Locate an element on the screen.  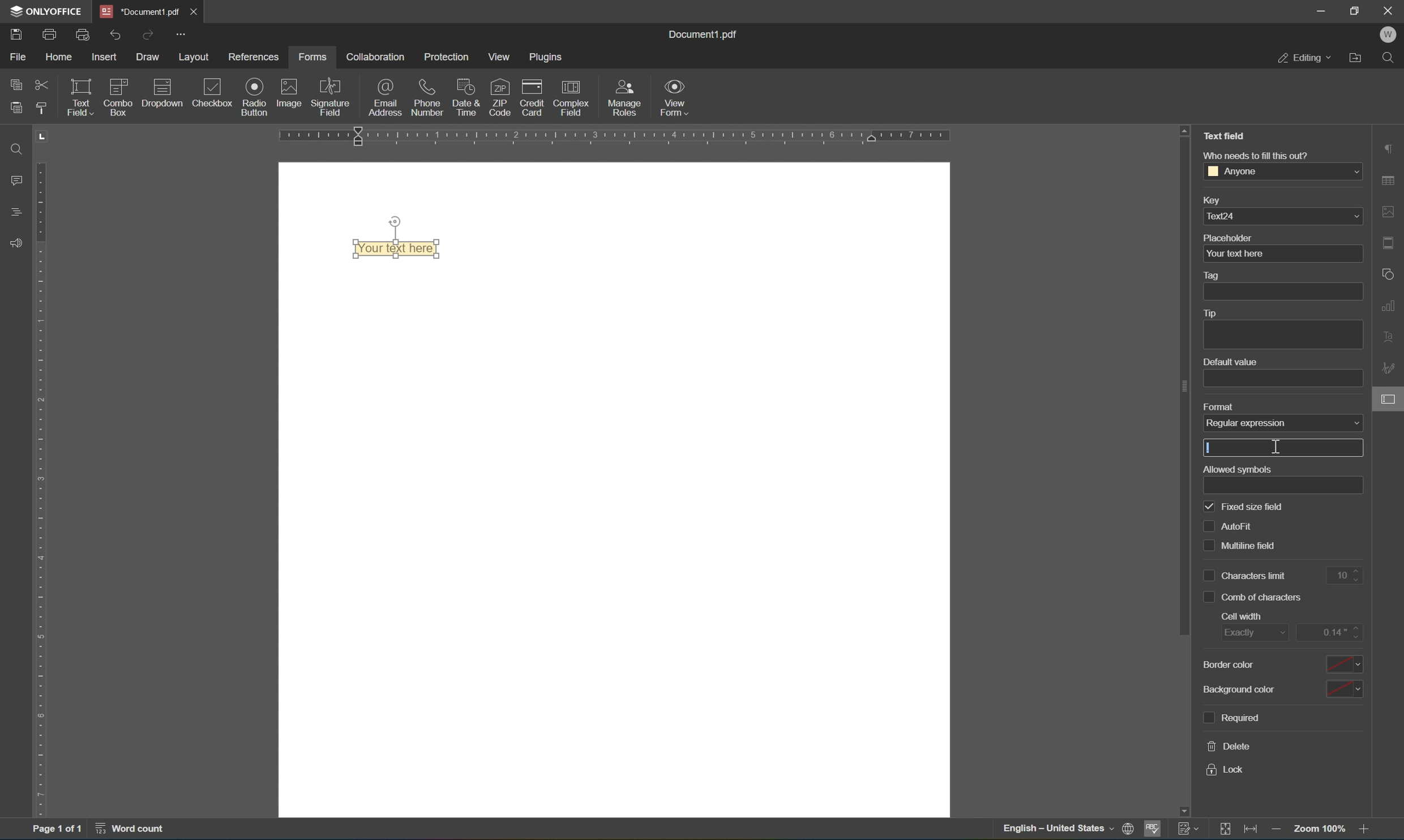
zoom out is located at coordinates (1278, 832).